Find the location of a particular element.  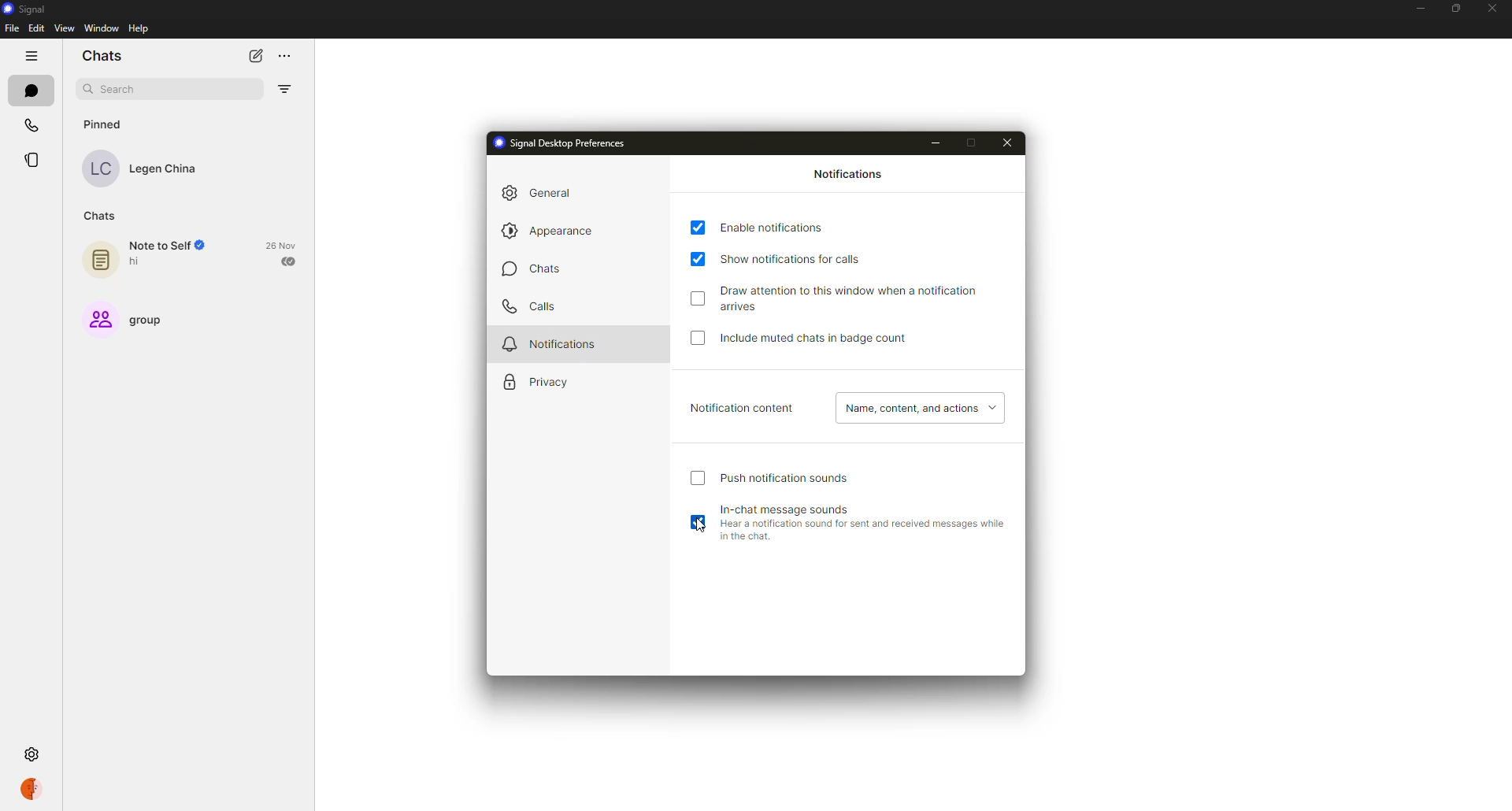

include muted chats in badge count is located at coordinates (814, 339).